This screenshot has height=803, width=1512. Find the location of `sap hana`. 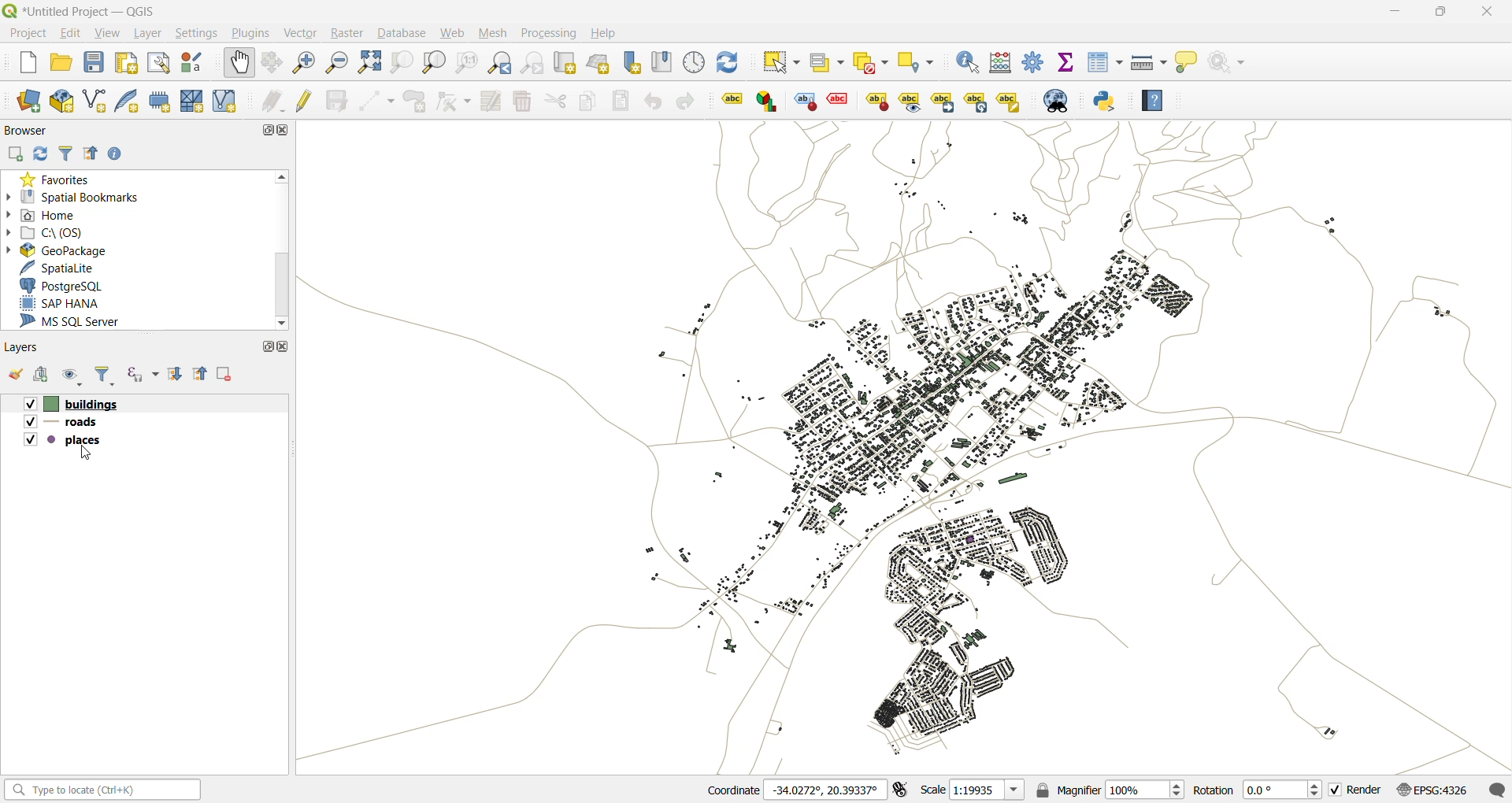

sap hana is located at coordinates (61, 303).